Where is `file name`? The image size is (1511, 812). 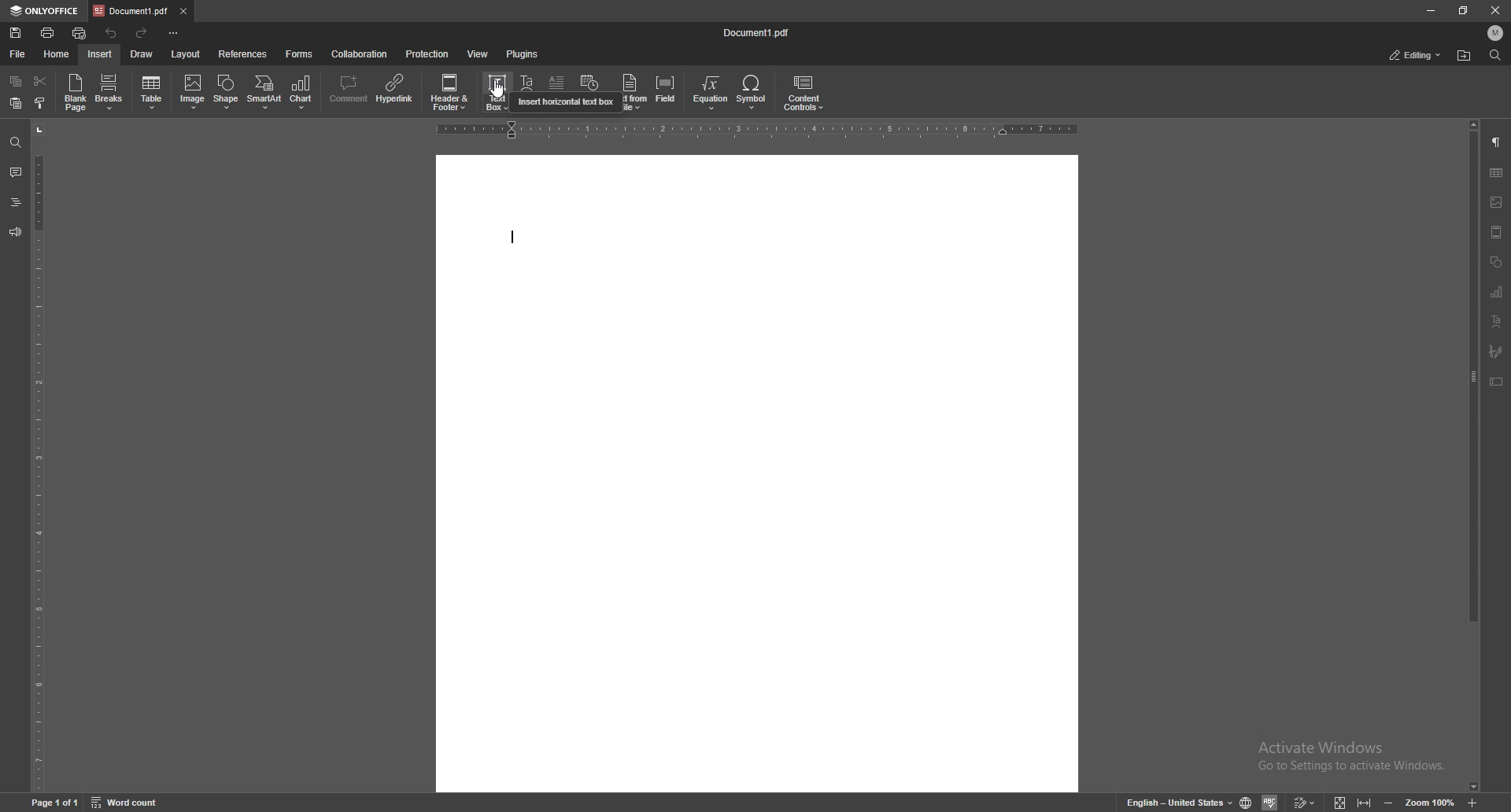
file name is located at coordinates (758, 31).